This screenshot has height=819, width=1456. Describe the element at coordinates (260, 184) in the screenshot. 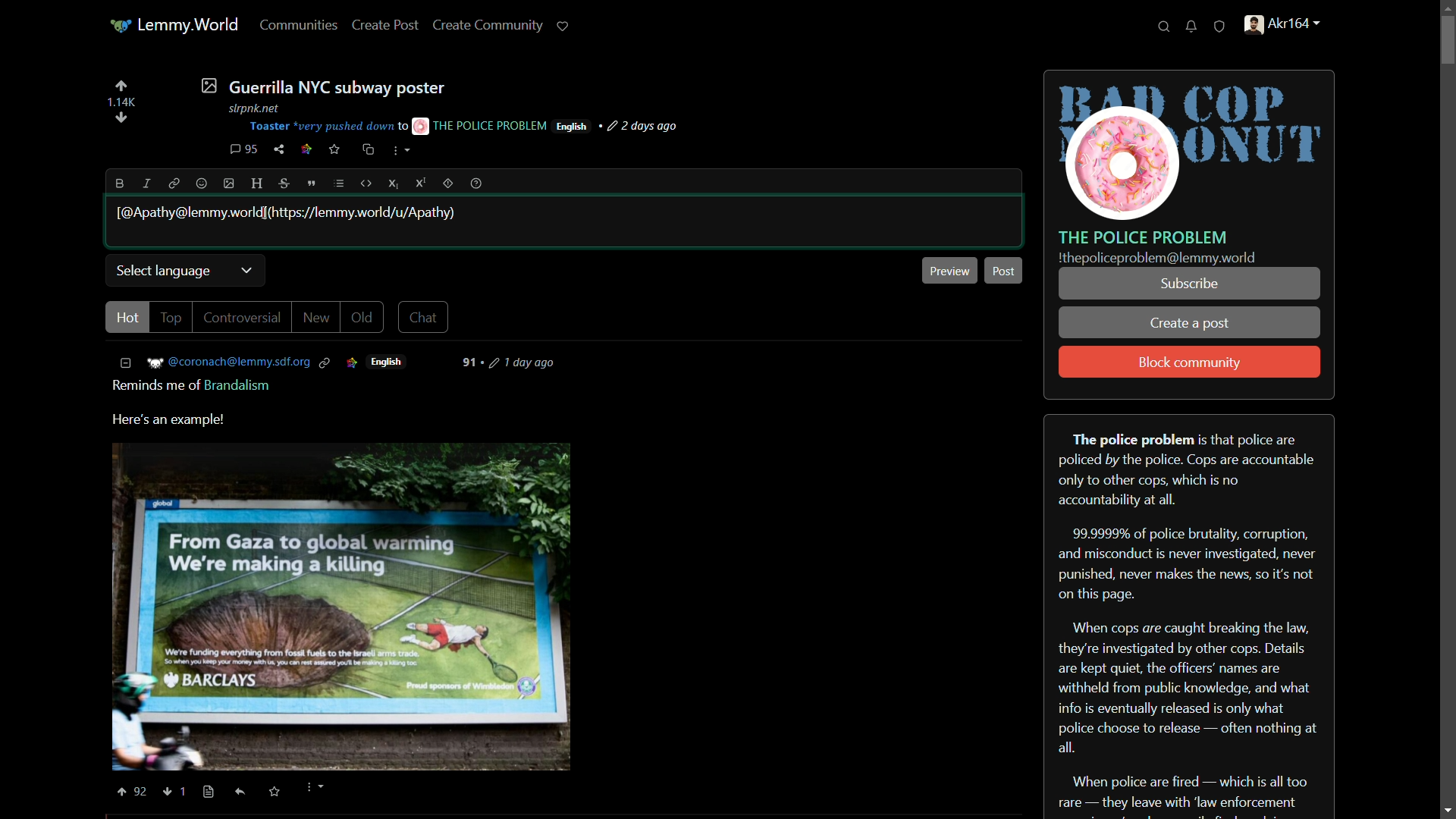

I see `header` at that location.